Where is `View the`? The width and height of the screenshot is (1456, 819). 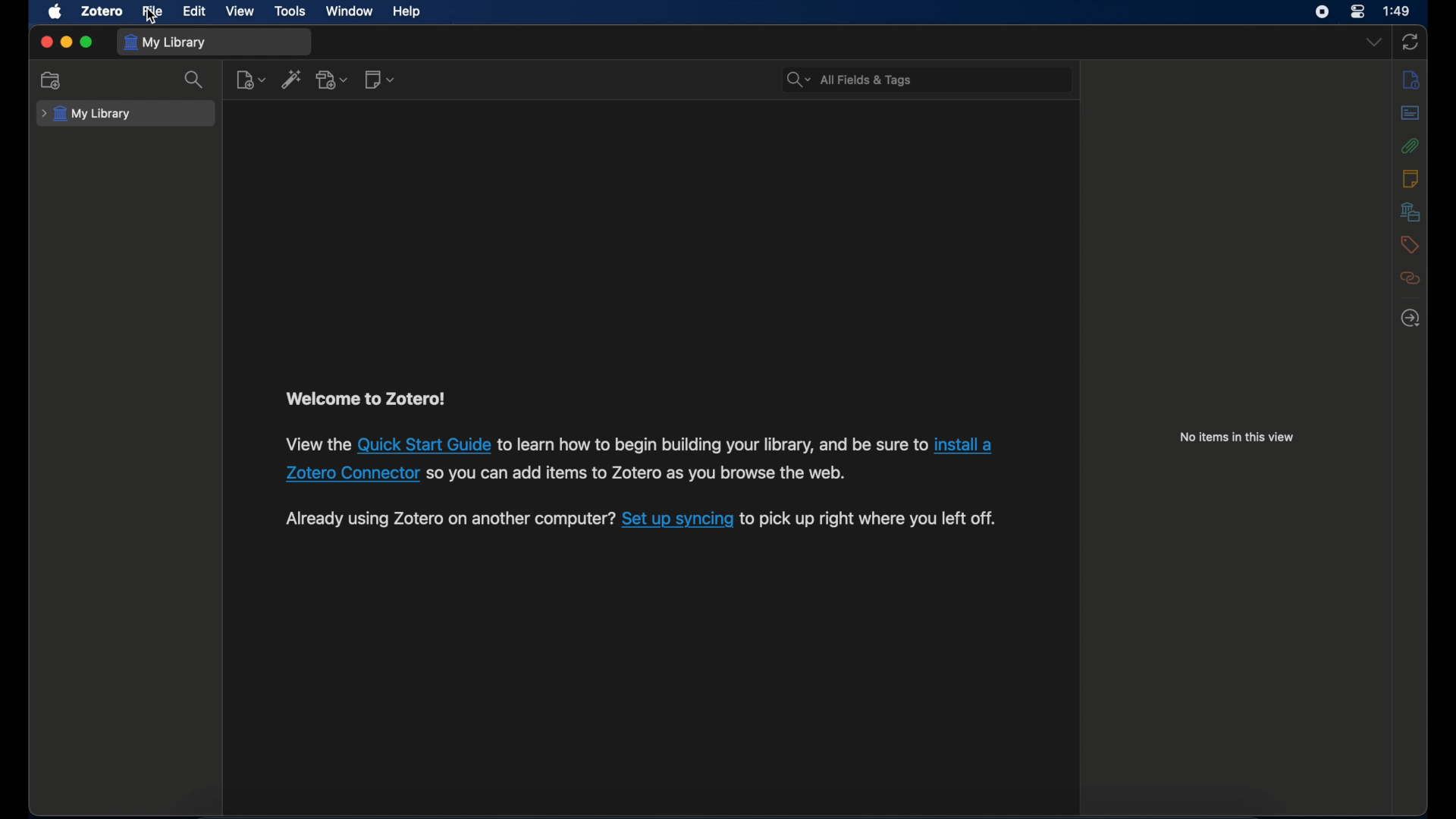 View the is located at coordinates (313, 444).